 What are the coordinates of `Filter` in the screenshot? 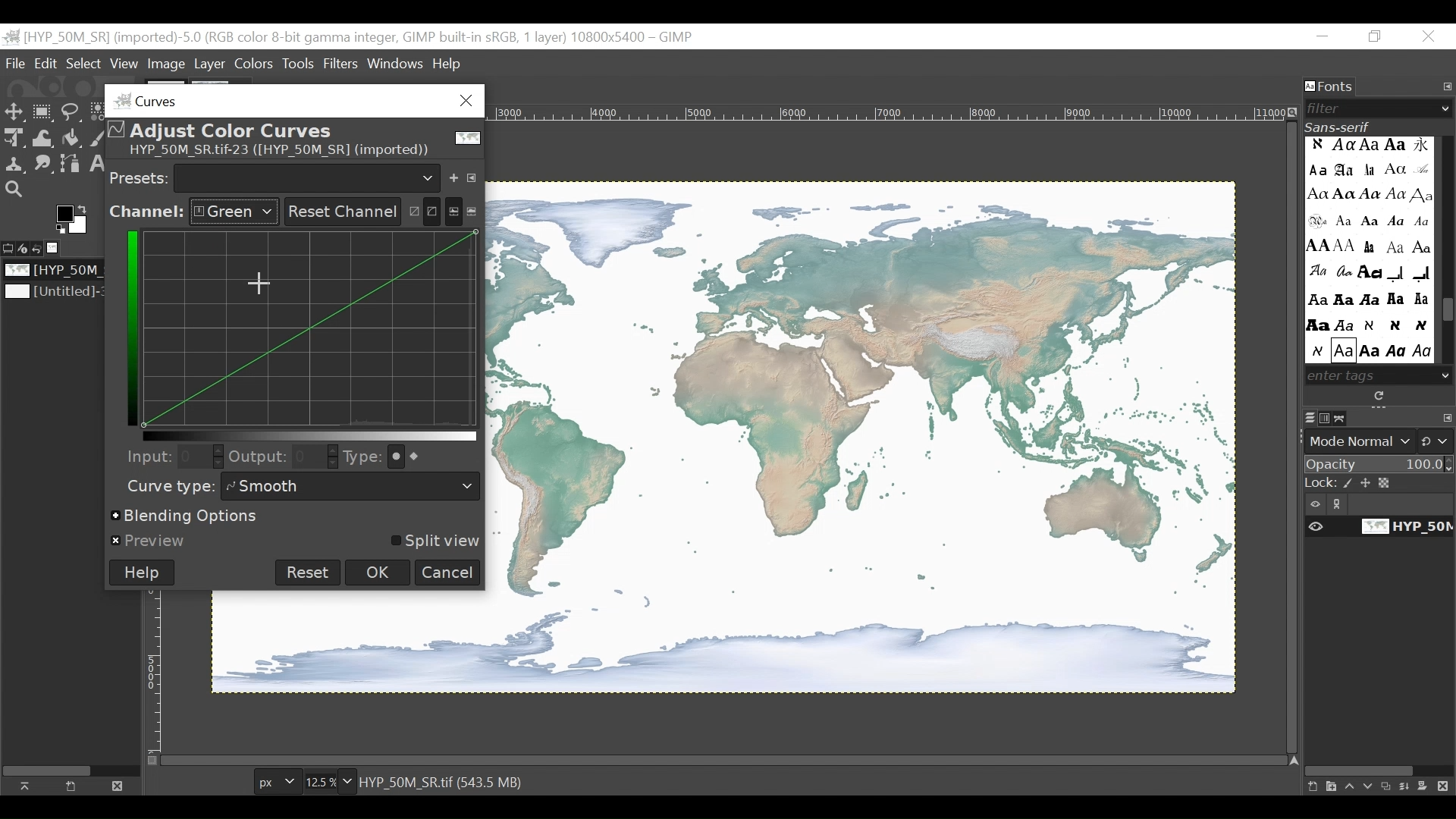 It's located at (1373, 108).